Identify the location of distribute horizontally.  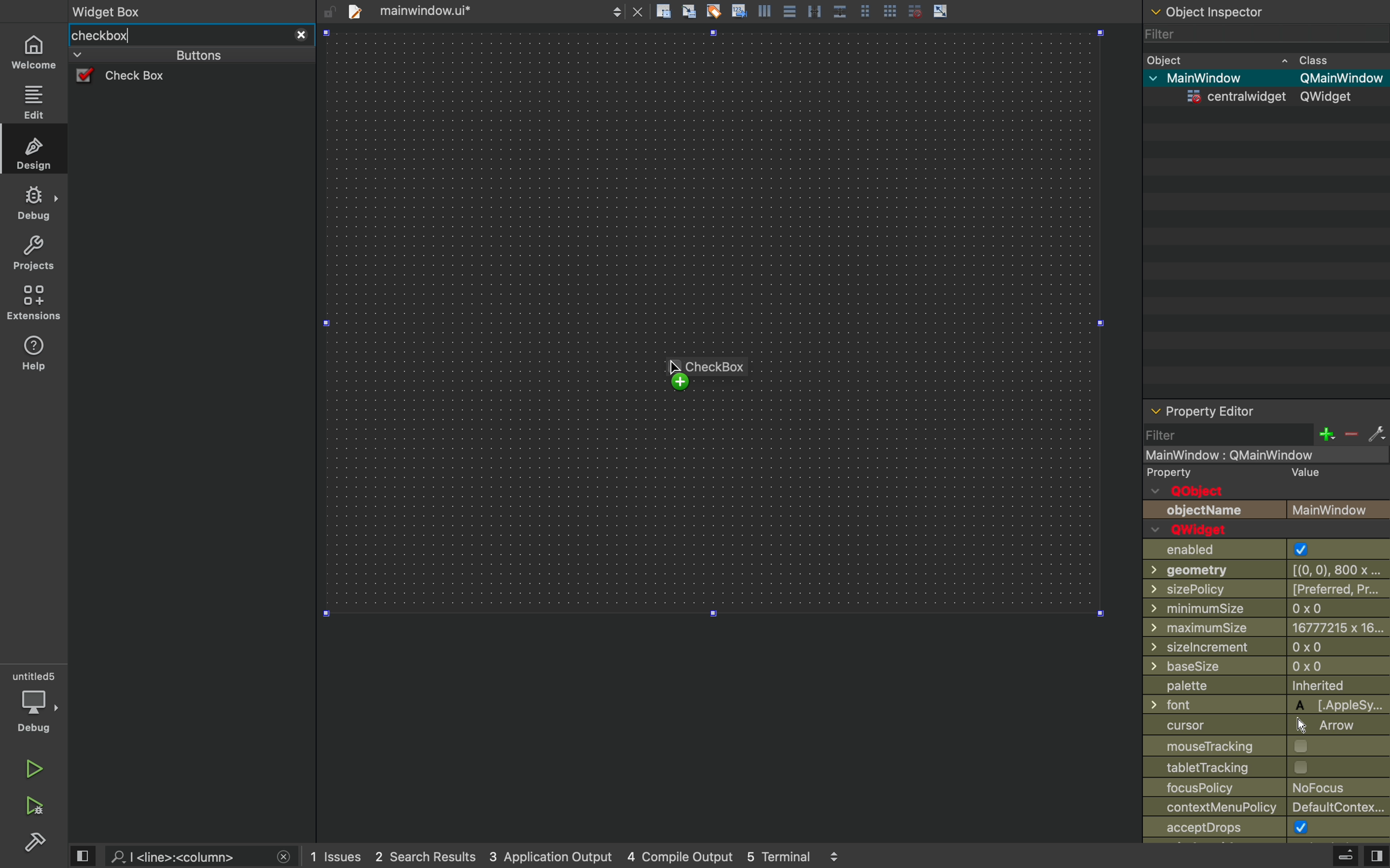
(813, 10).